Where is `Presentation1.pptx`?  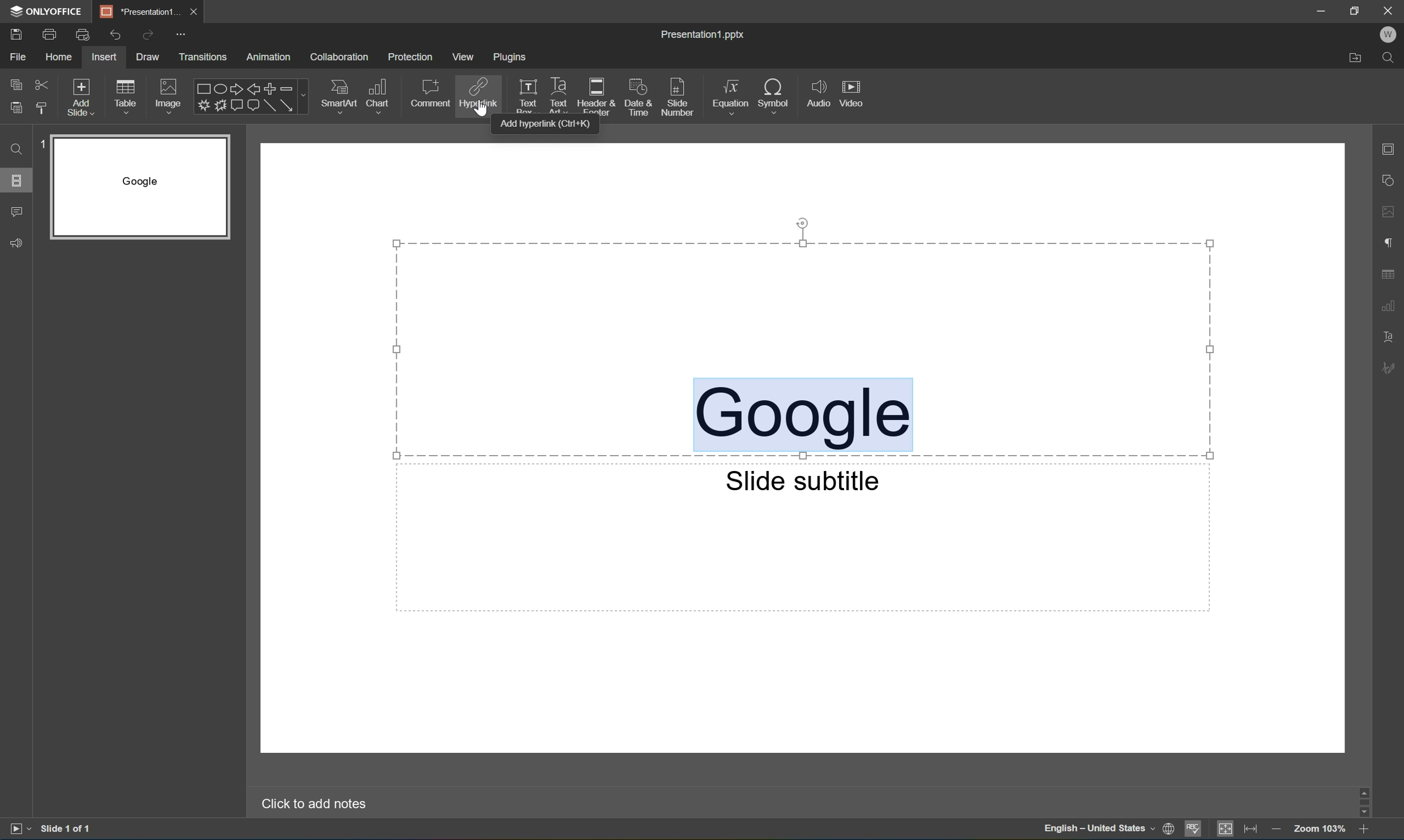
Presentation1.pptx is located at coordinates (701, 34).